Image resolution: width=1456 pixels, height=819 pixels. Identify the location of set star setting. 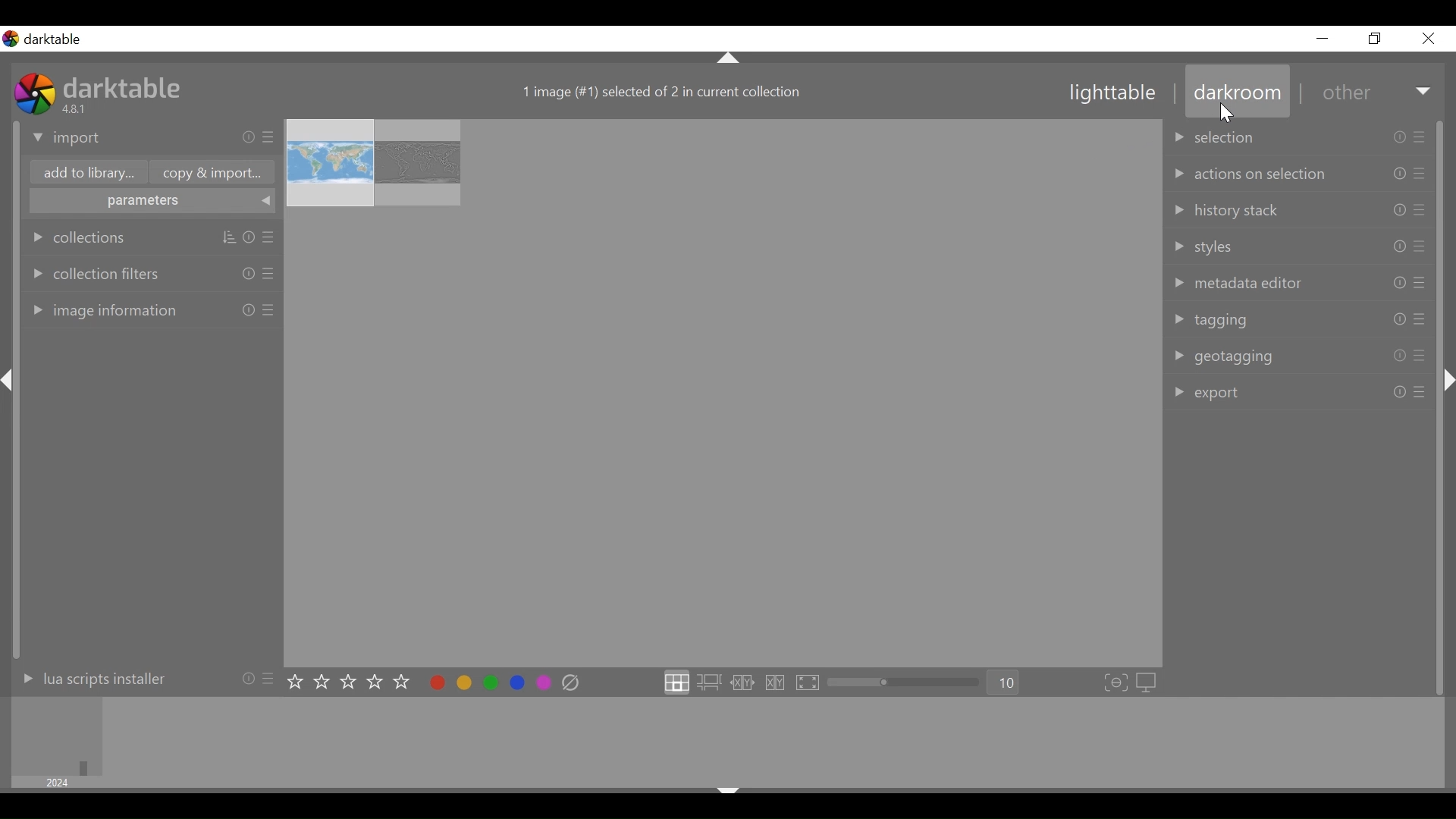
(347, 682).